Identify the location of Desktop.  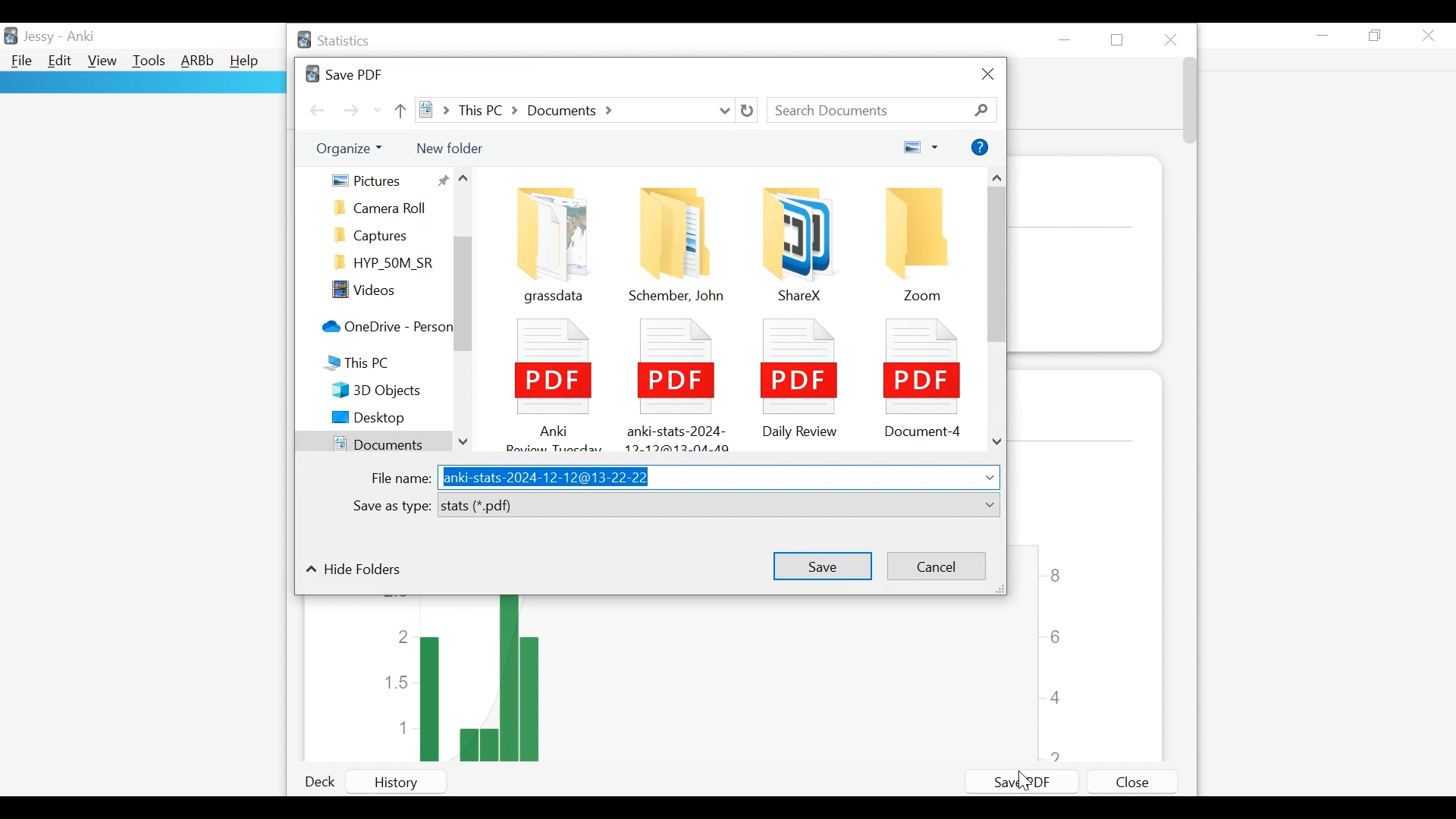
(384, 419).